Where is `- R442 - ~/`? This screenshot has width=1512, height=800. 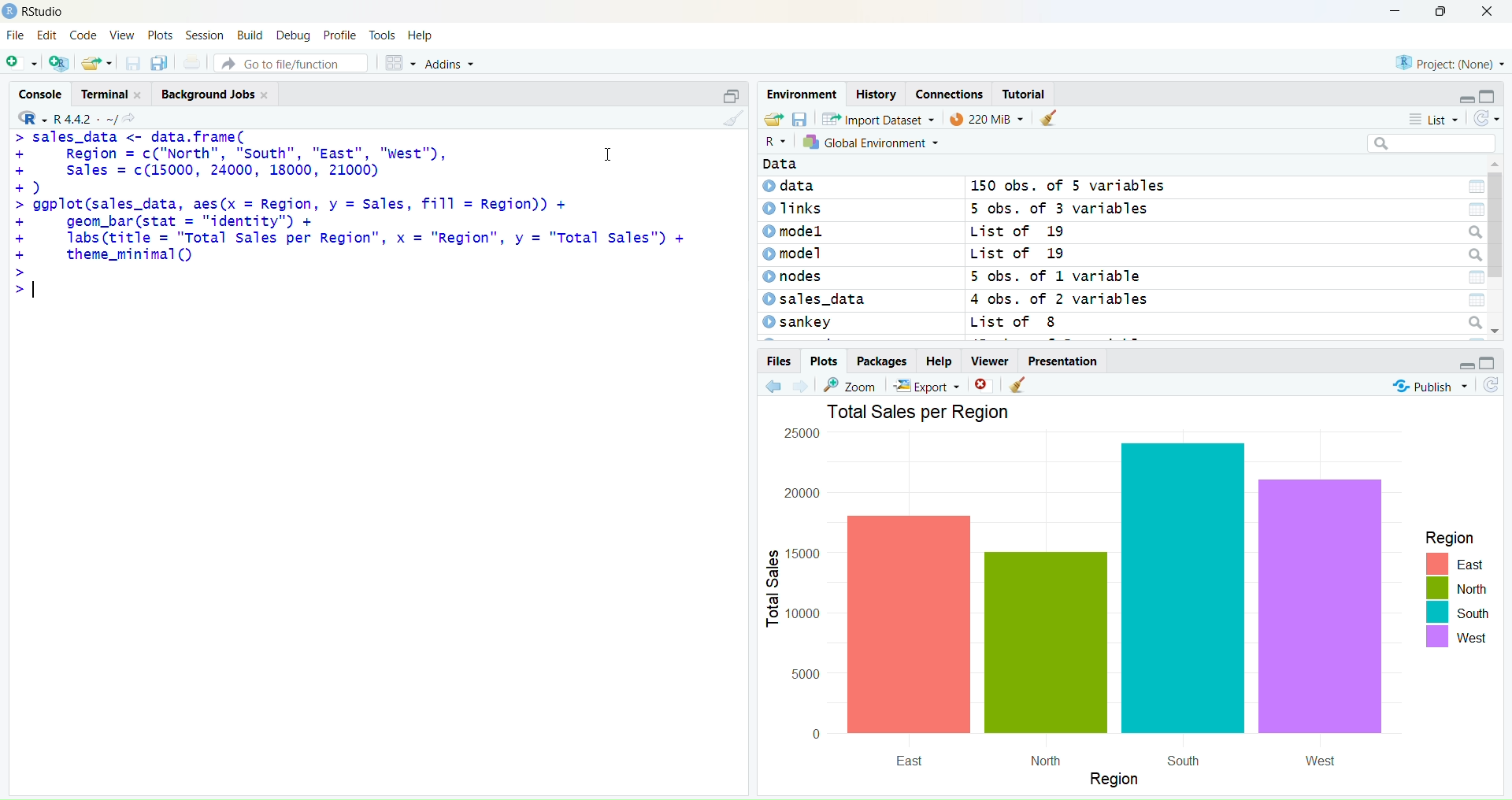
- R442 - ~/ is located at coordinates (87, 116).